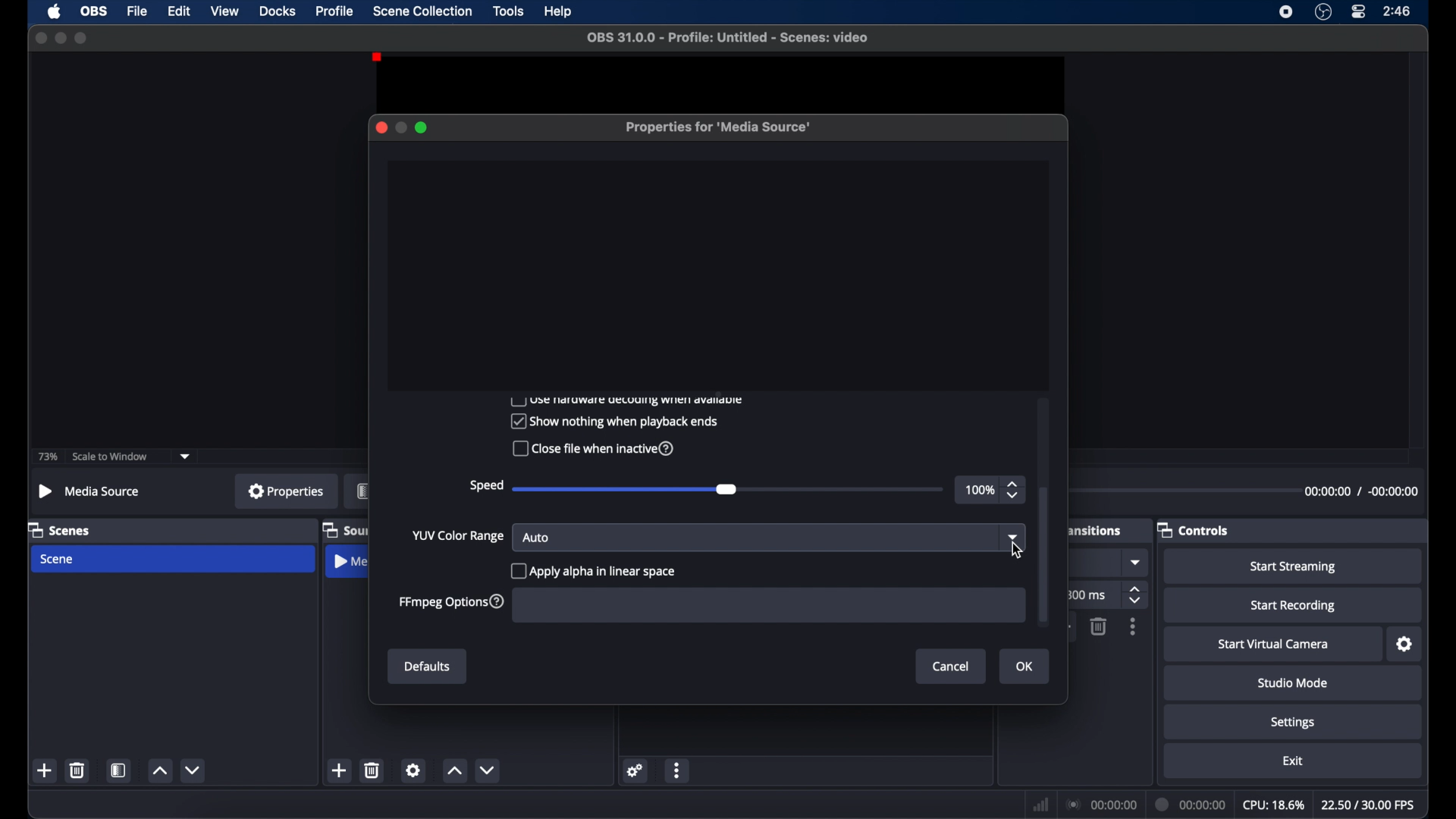  Describe the element at coordinates (58, 559) in the screenshot. I see `scene` at that location.